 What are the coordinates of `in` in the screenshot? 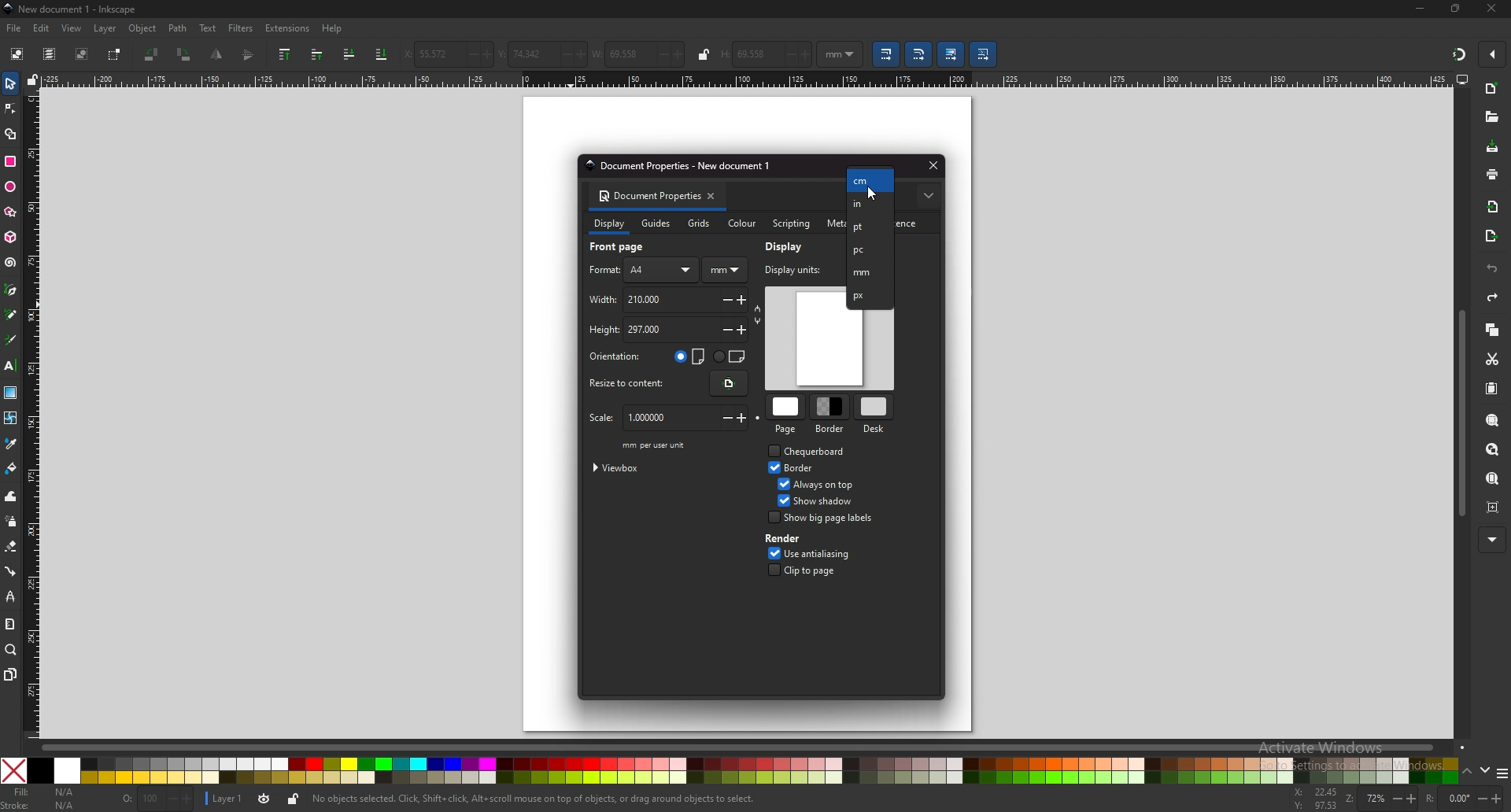 It's located at (870, 205).